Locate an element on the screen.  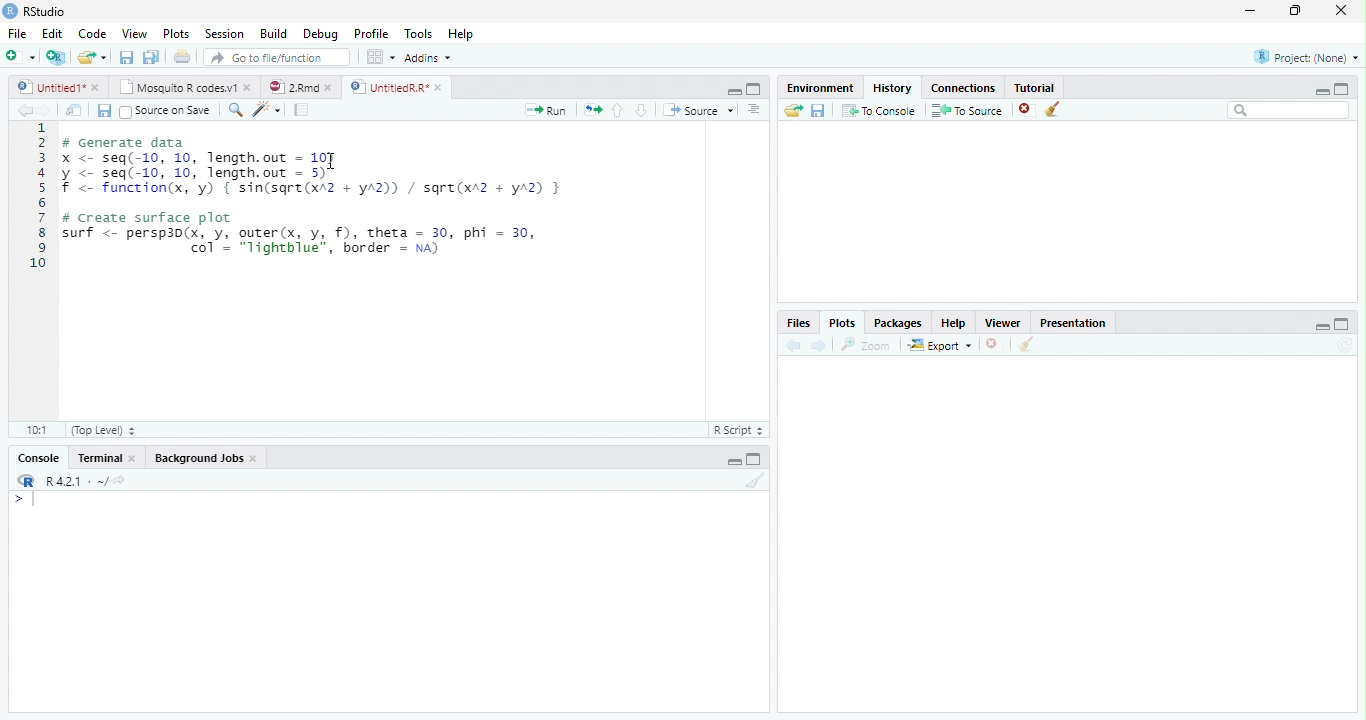
Terminal is located at coordinates (99, 458).